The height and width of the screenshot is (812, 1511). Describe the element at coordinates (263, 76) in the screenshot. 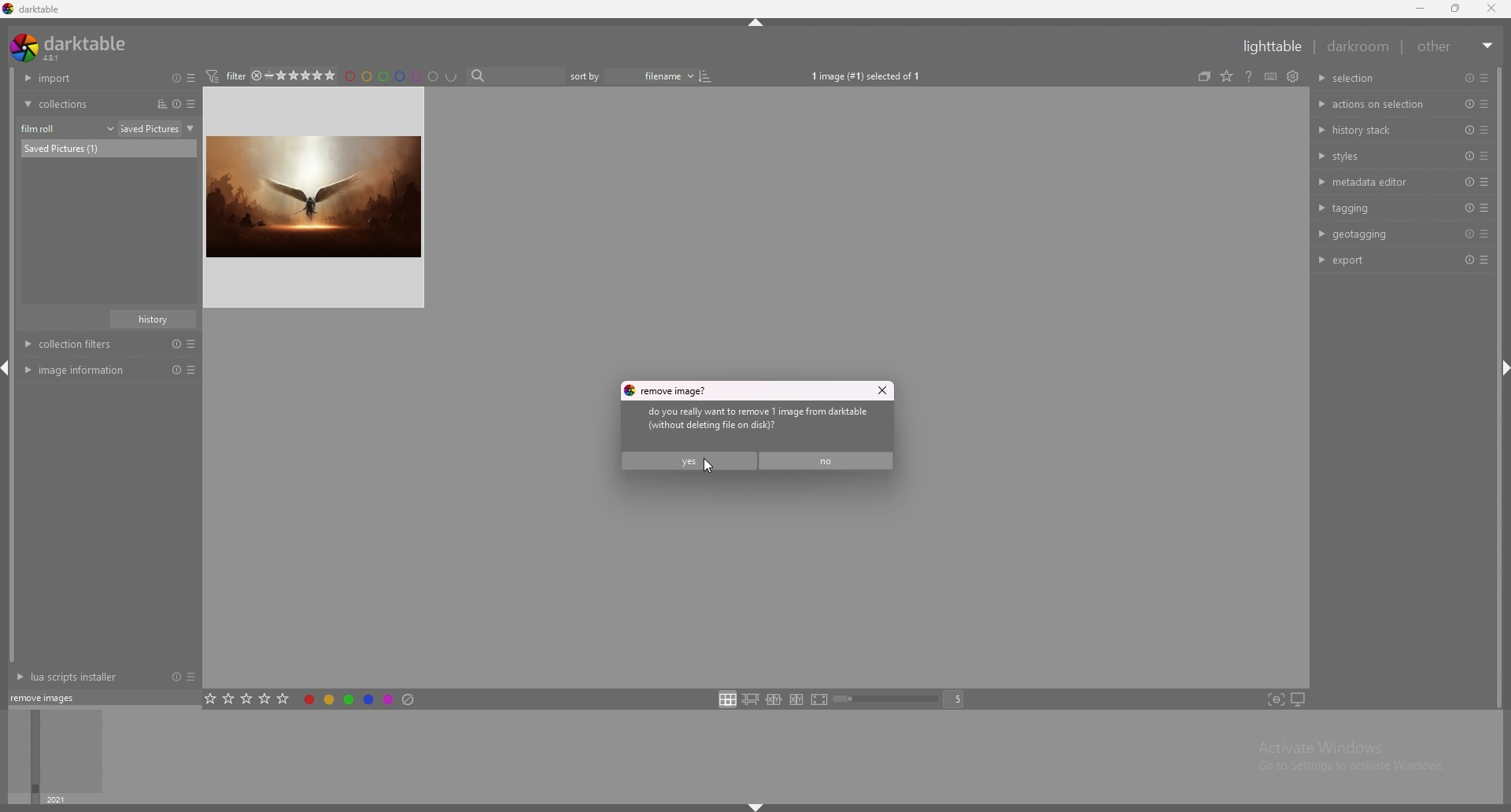

I see `4star` at that location.